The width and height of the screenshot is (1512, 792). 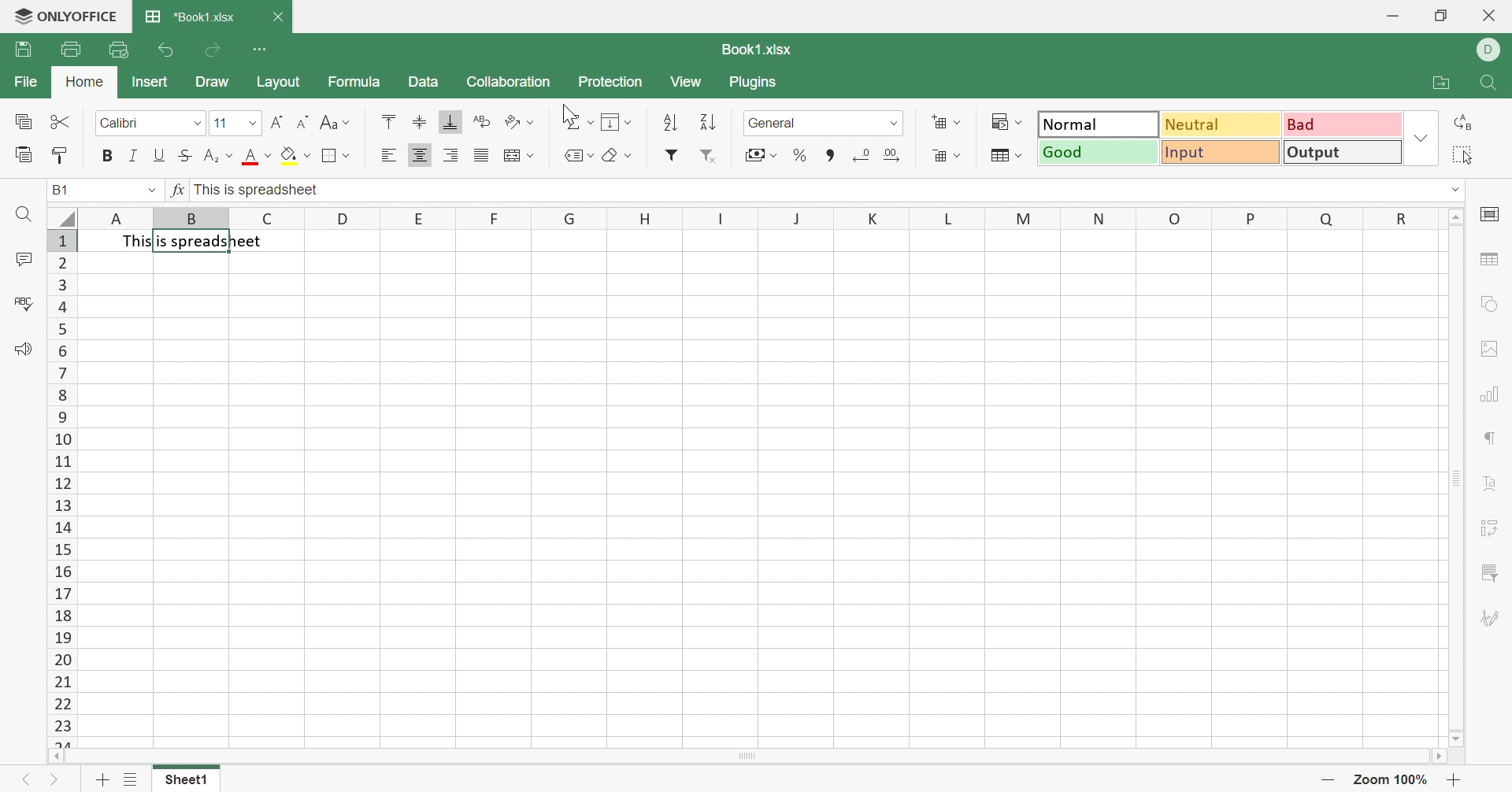 What do you see at coordinates (1488, 531) in the screenshot?
I see `Pivot Table settings` at bounding box center [1488, 531].